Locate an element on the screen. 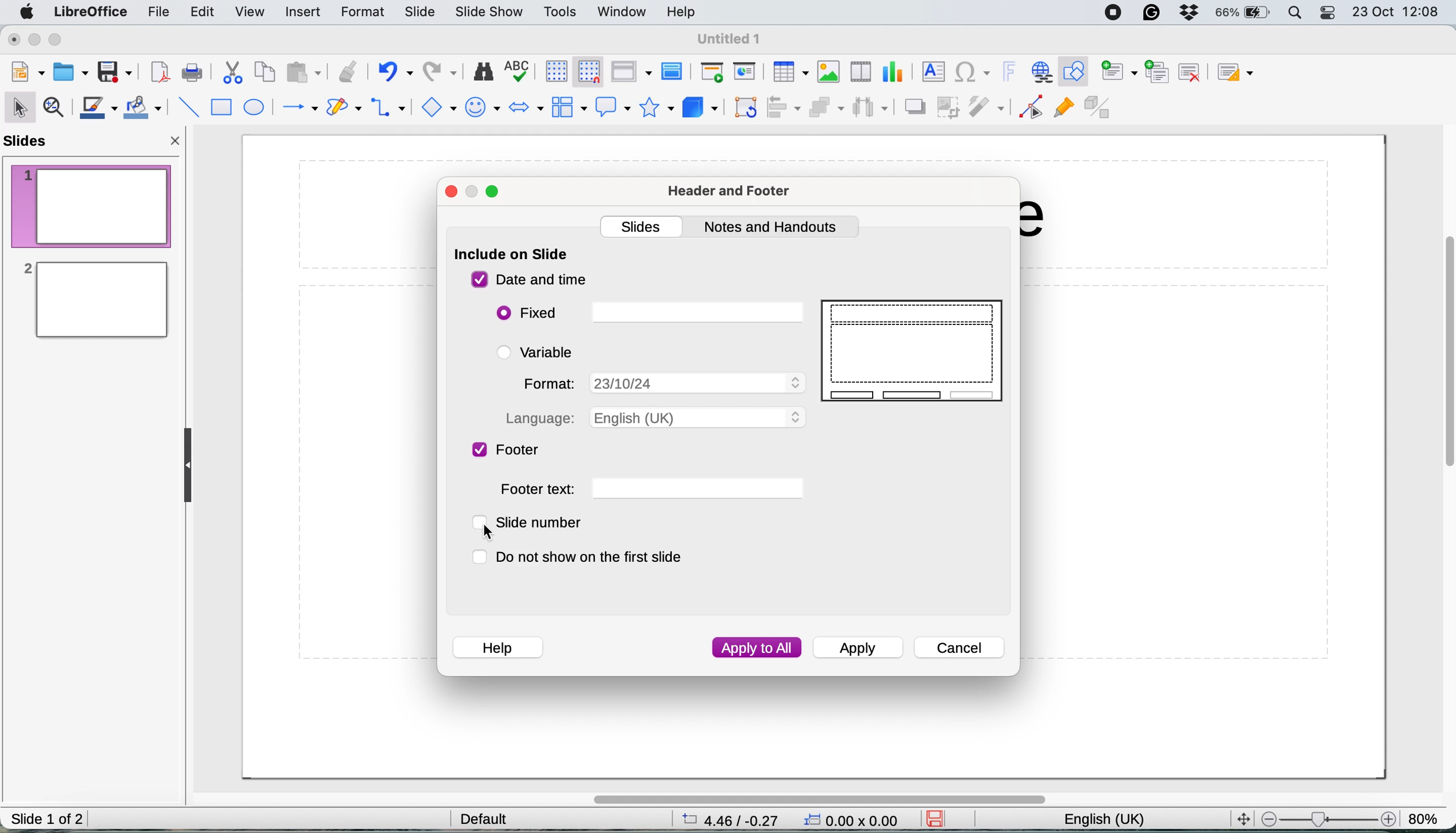 This screenshot has width=1456, height=833. select three objects to distribute is located at coordinates (870, 109).